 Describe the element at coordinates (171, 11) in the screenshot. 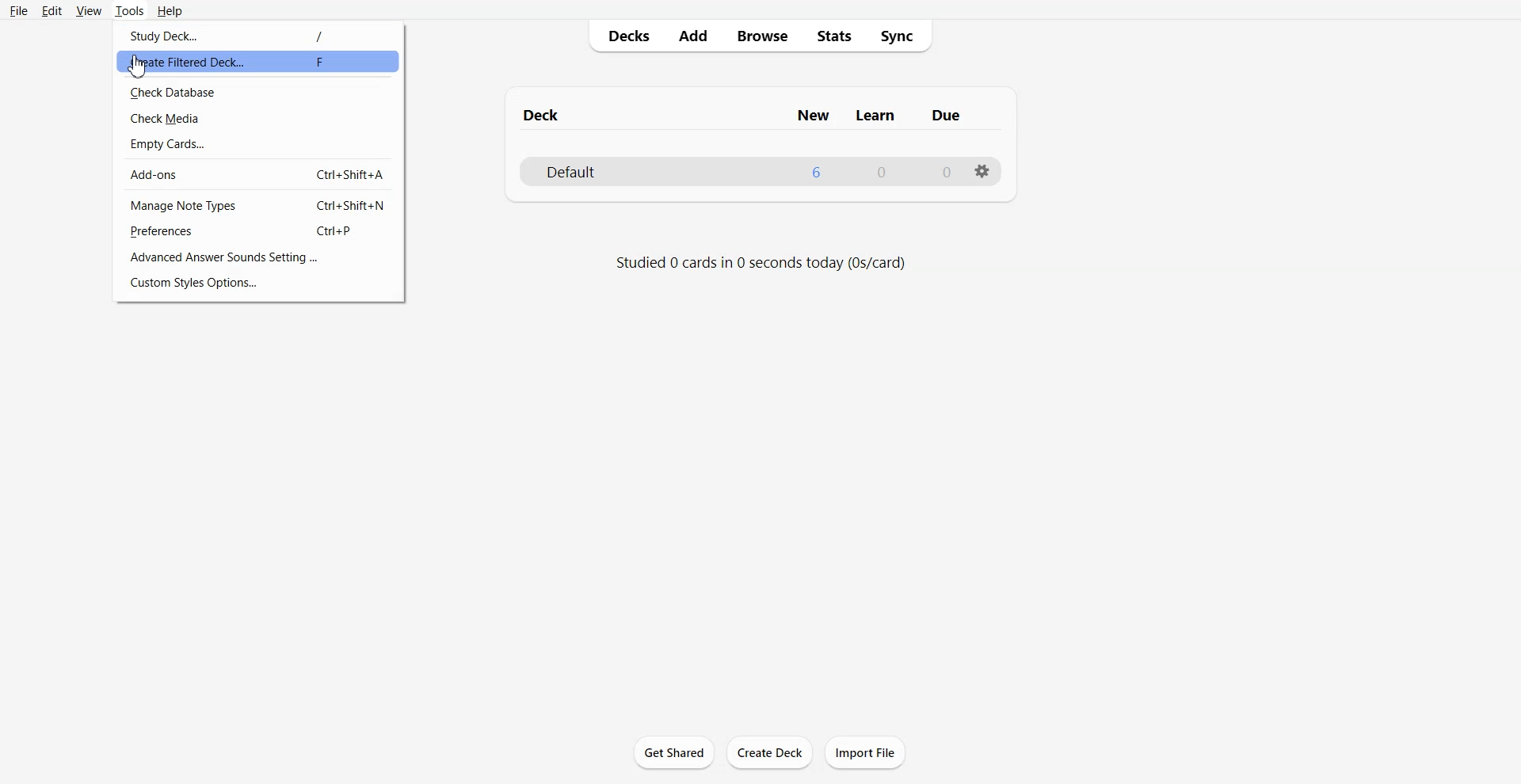

I see `Help` at that location.